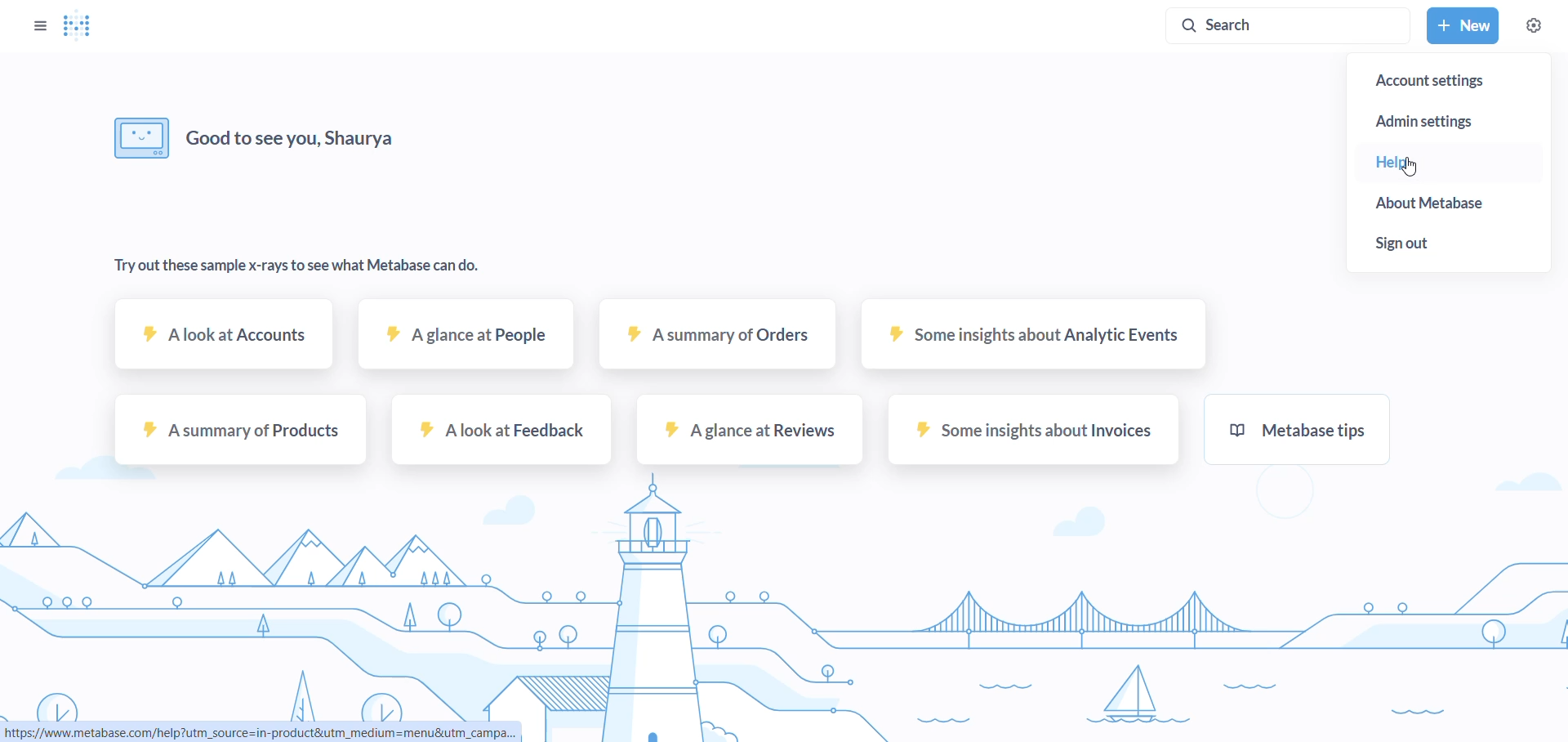 The height and width of the screenshot is (742, 1568). Describe the element at coordinates (497, 436) in the screenshot. I see `A look at feedback` at that location.